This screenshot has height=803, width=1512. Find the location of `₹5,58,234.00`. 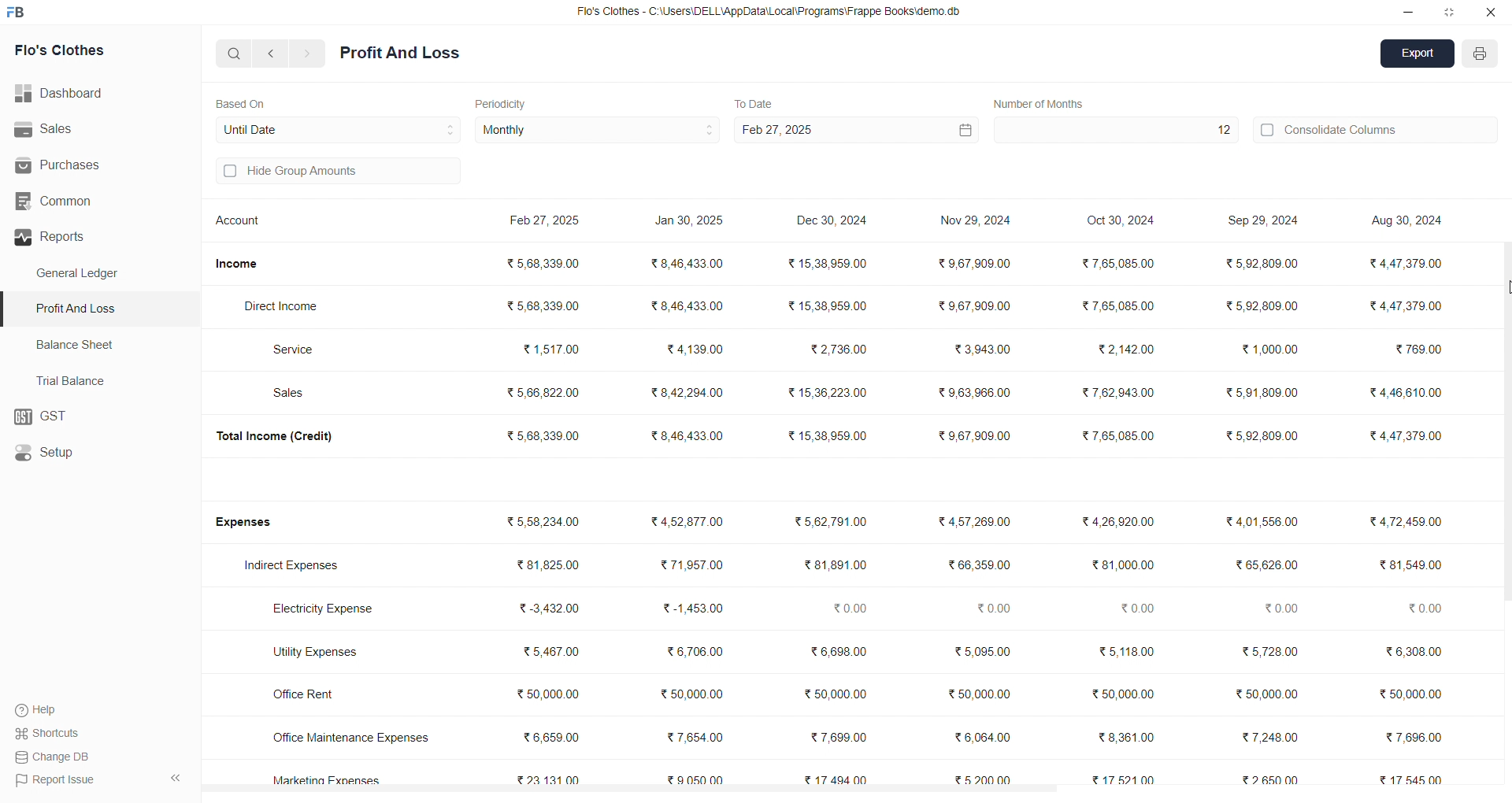

₹5,58,234.00 is located at coordinates (547, 522).